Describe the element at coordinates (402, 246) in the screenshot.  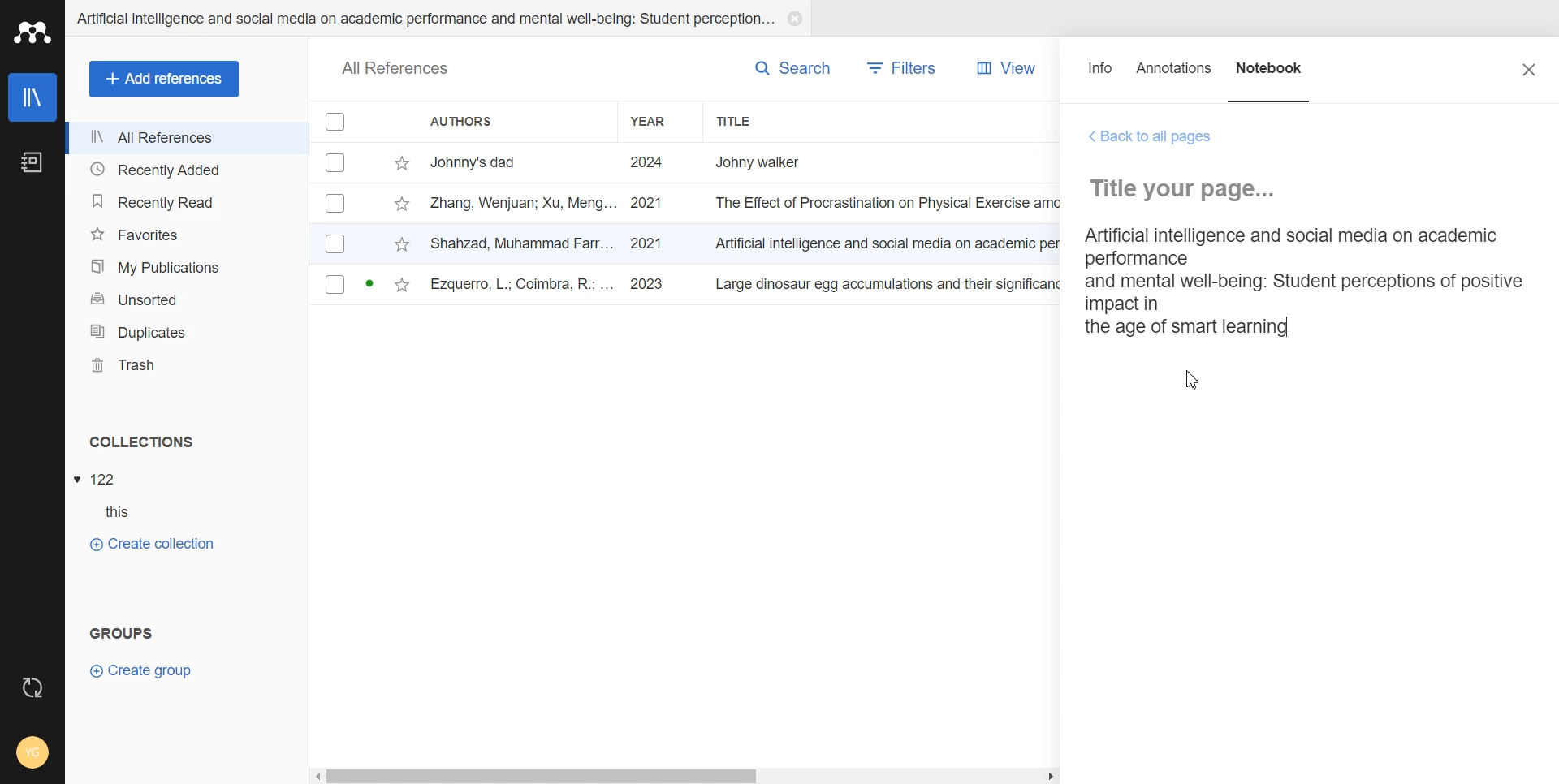
I see `star` at that location.